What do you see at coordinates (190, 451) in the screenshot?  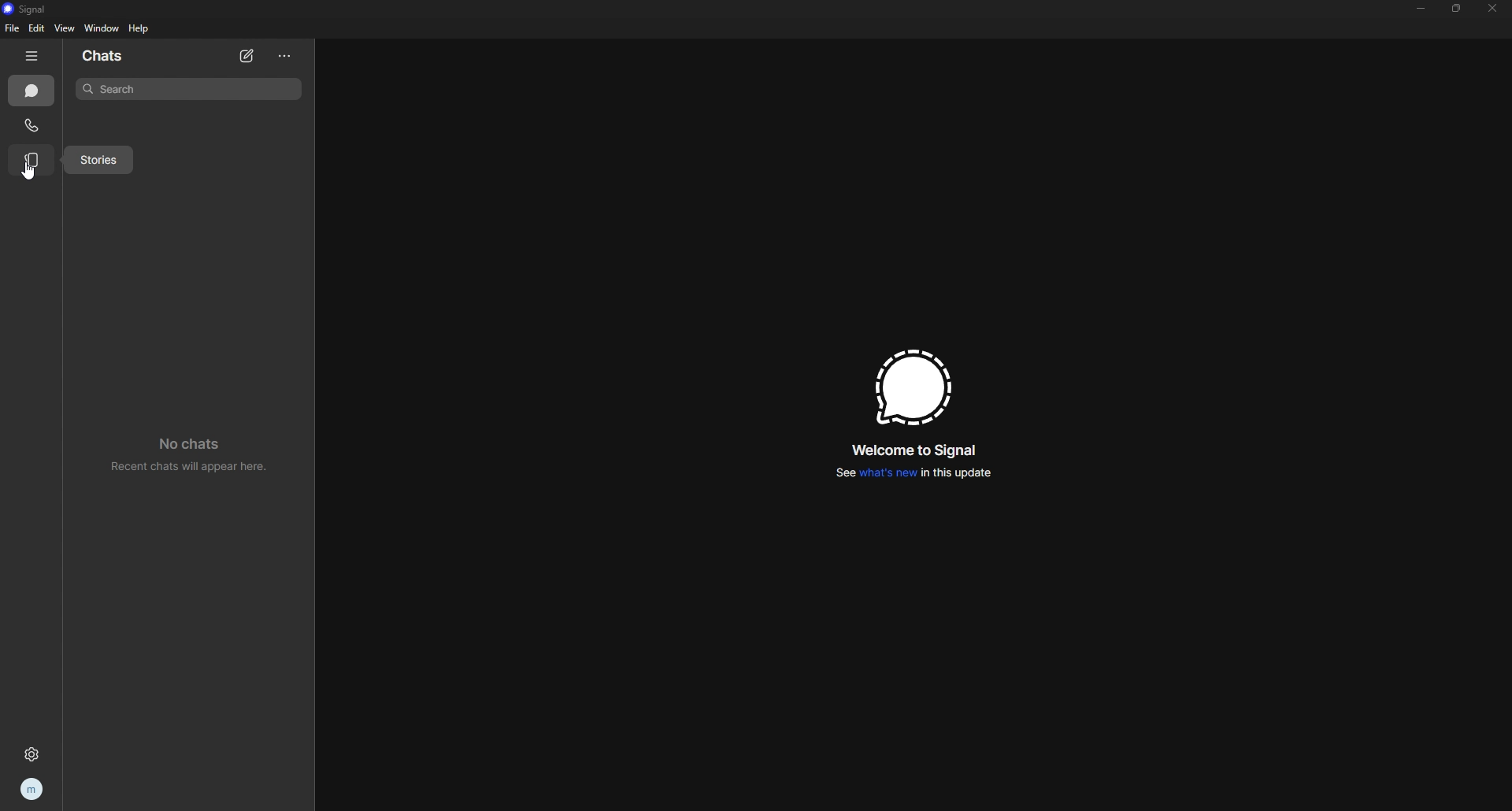 I see `no chats Recent chats will appear here.` at bounding box center [190, 451].